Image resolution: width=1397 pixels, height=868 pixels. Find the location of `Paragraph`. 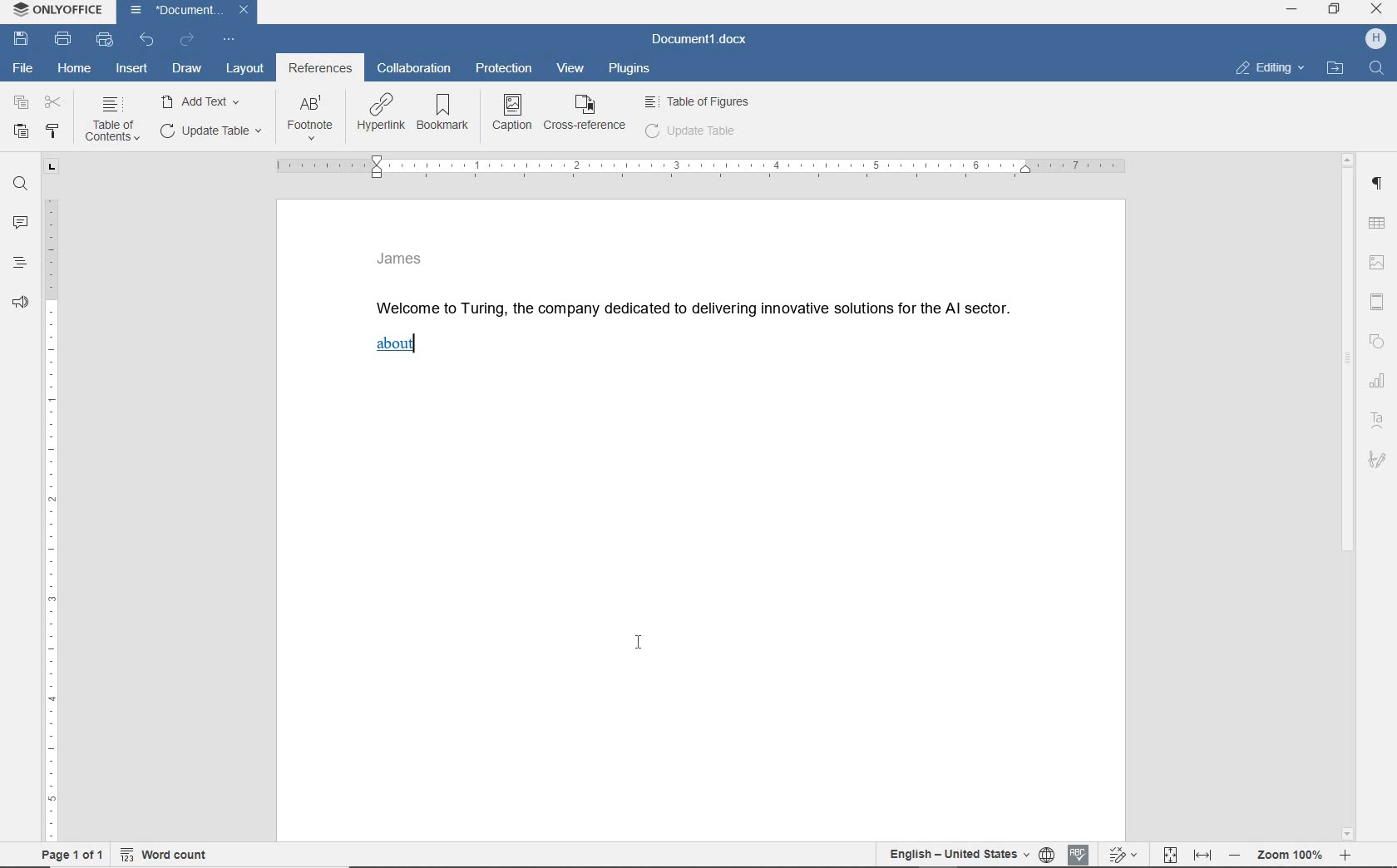

Paragraph is located at coordinates (1381, 184).